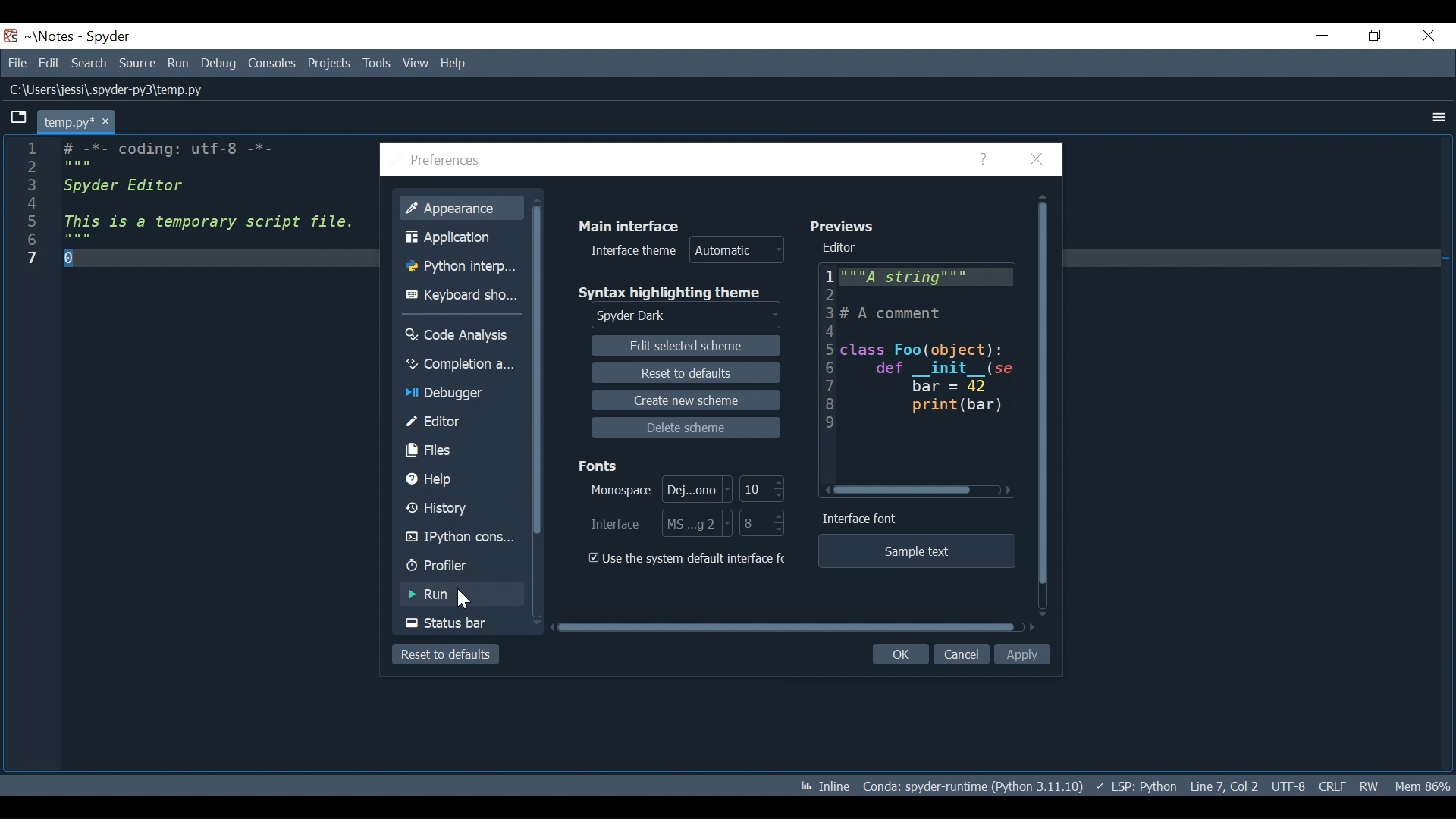 This screenshot has width=1456, height=819. I want to click on Code Analysis, so click(459, 337).